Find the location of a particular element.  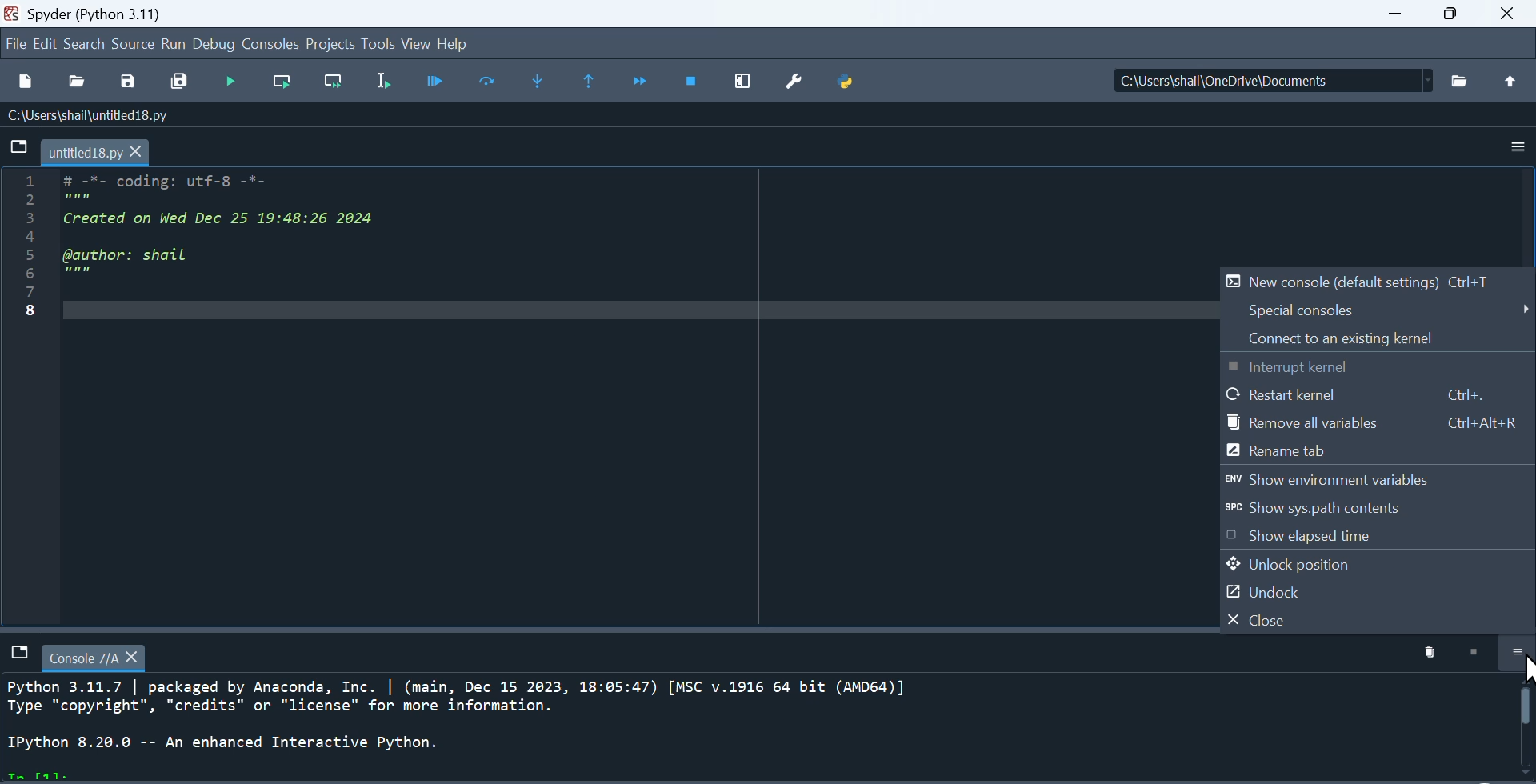

new console (default settings) is located at coordinates (1379, 282).